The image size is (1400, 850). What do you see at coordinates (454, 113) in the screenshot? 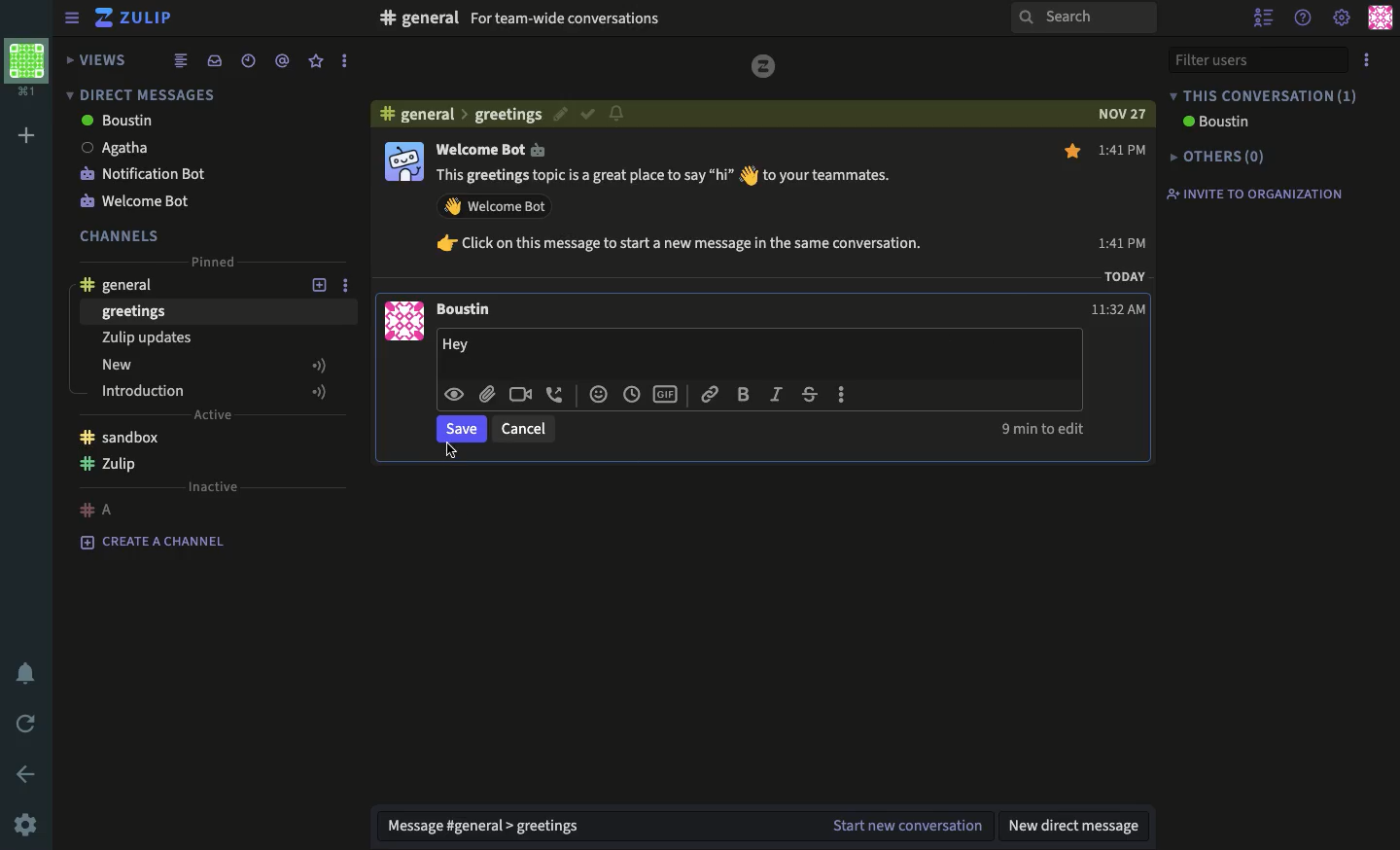
I see `general` at bounding box center [454, 113].